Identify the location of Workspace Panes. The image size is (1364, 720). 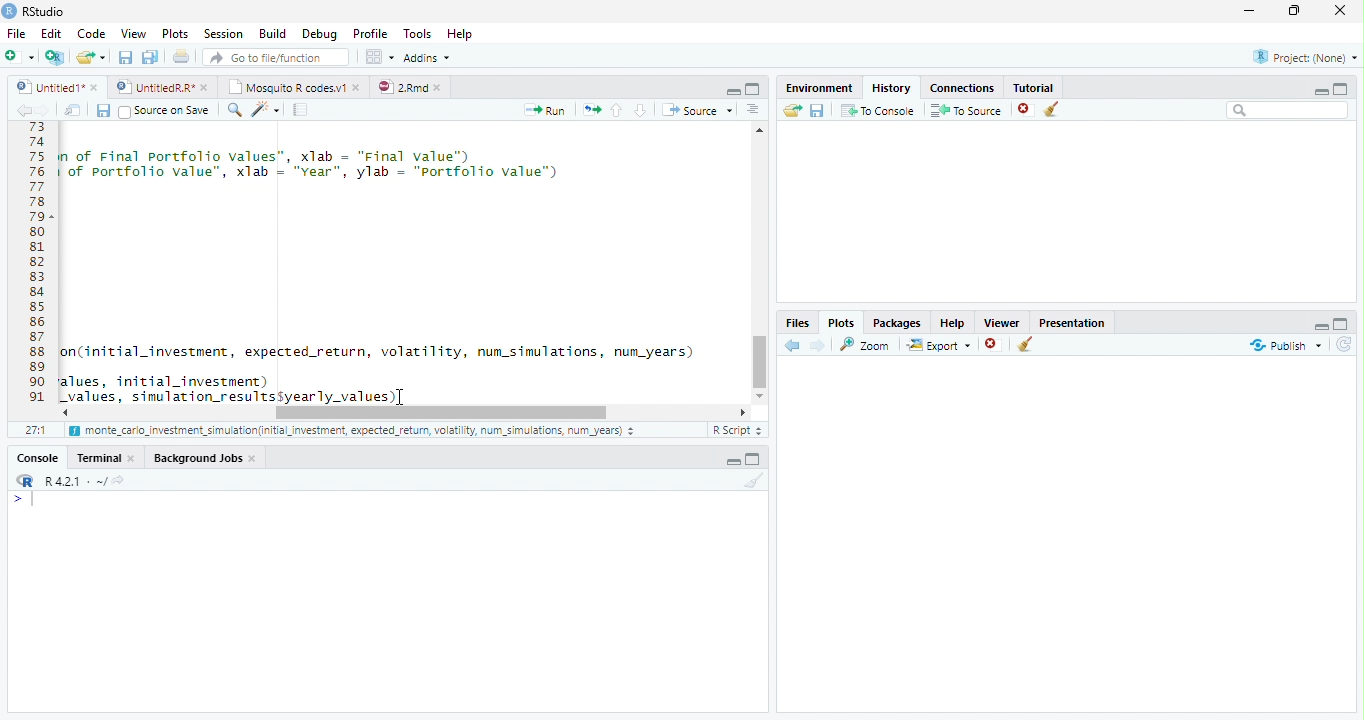
(379, 57).